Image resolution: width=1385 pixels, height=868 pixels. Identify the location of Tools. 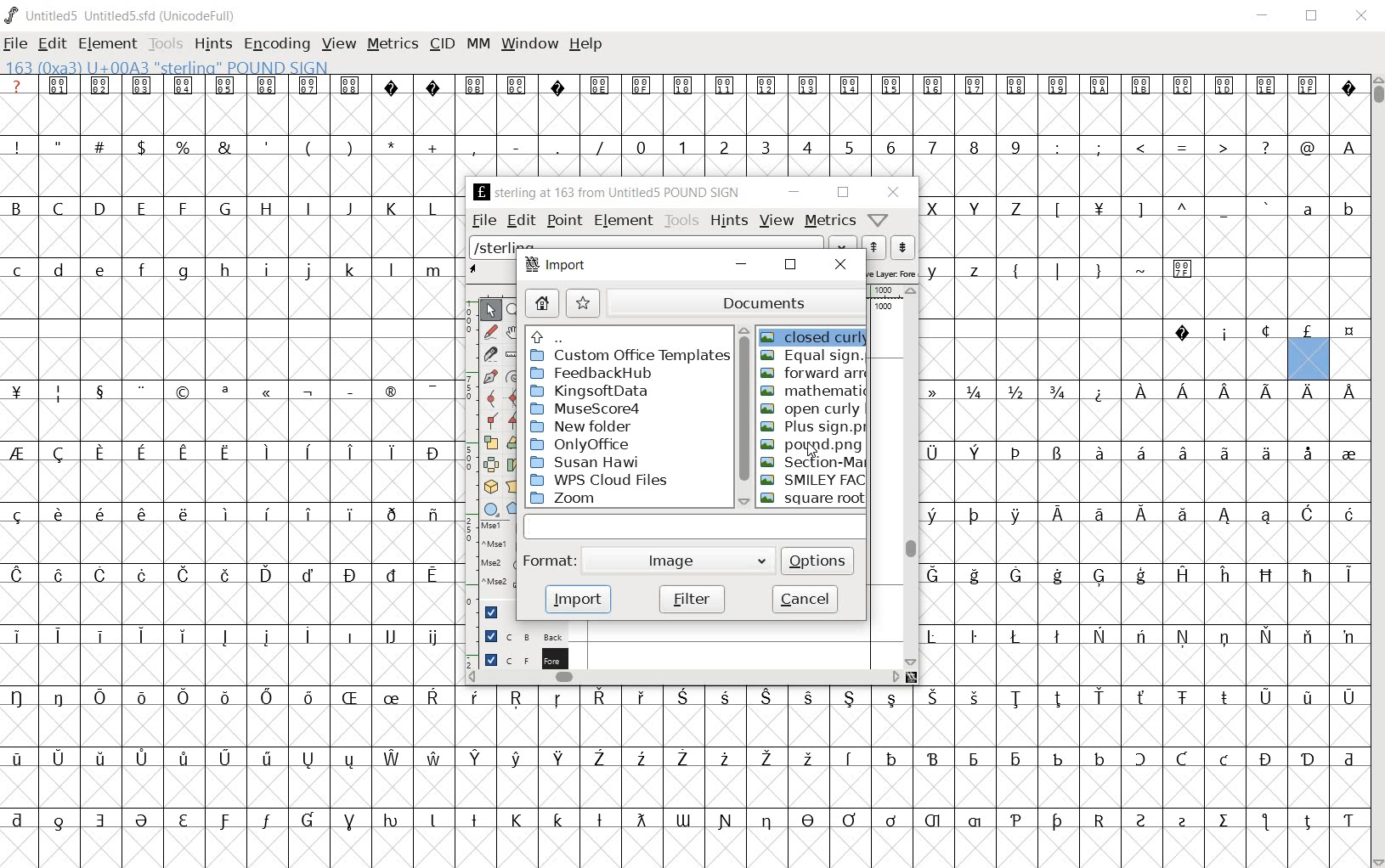
(166, 45).